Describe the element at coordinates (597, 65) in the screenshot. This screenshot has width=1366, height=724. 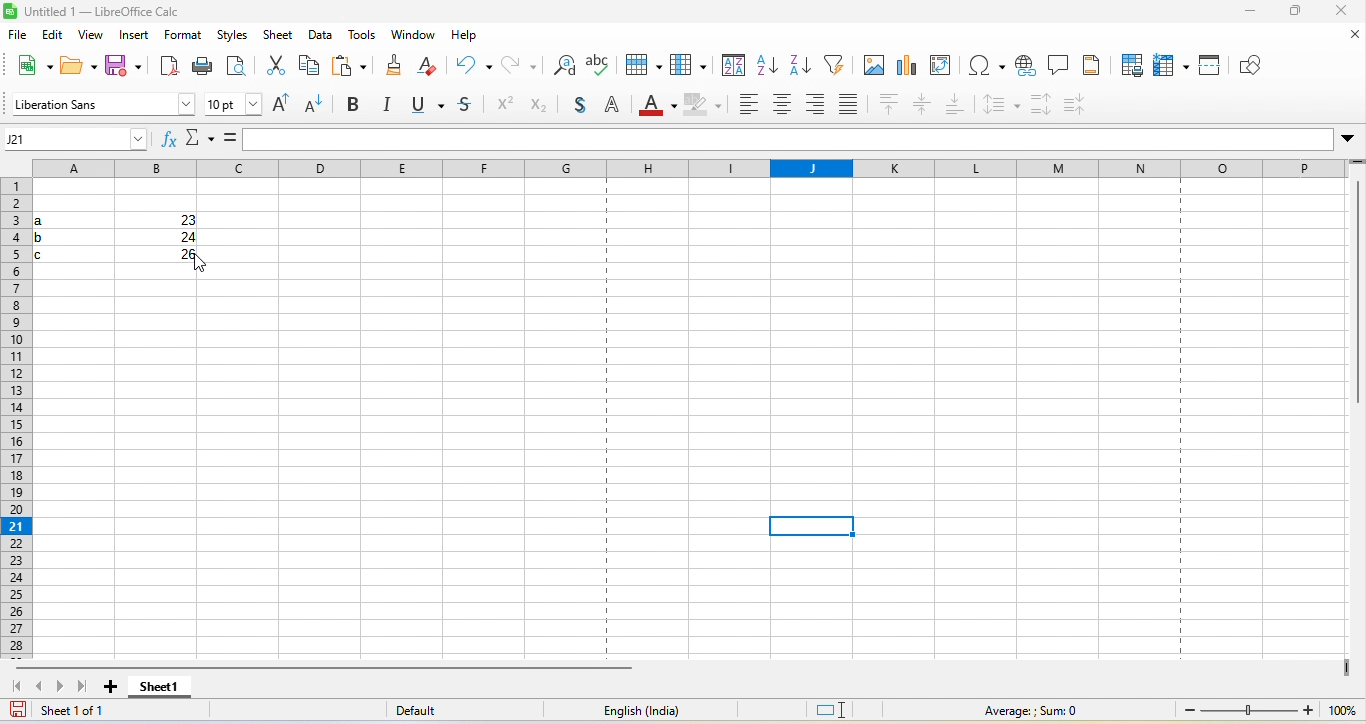
I see `spelling` at that location.